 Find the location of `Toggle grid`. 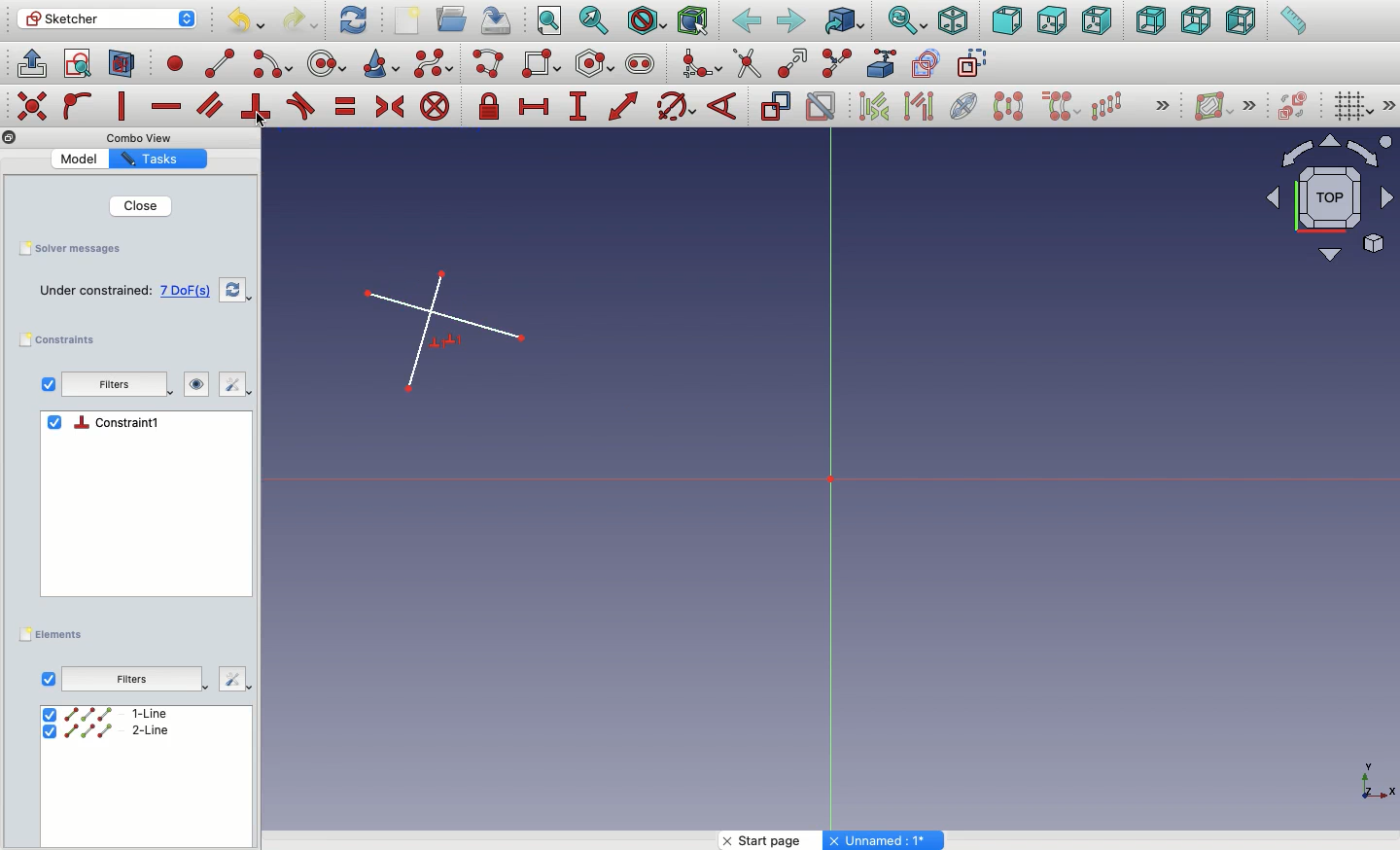

Toggle grid is located at coordinates (1354, 108).